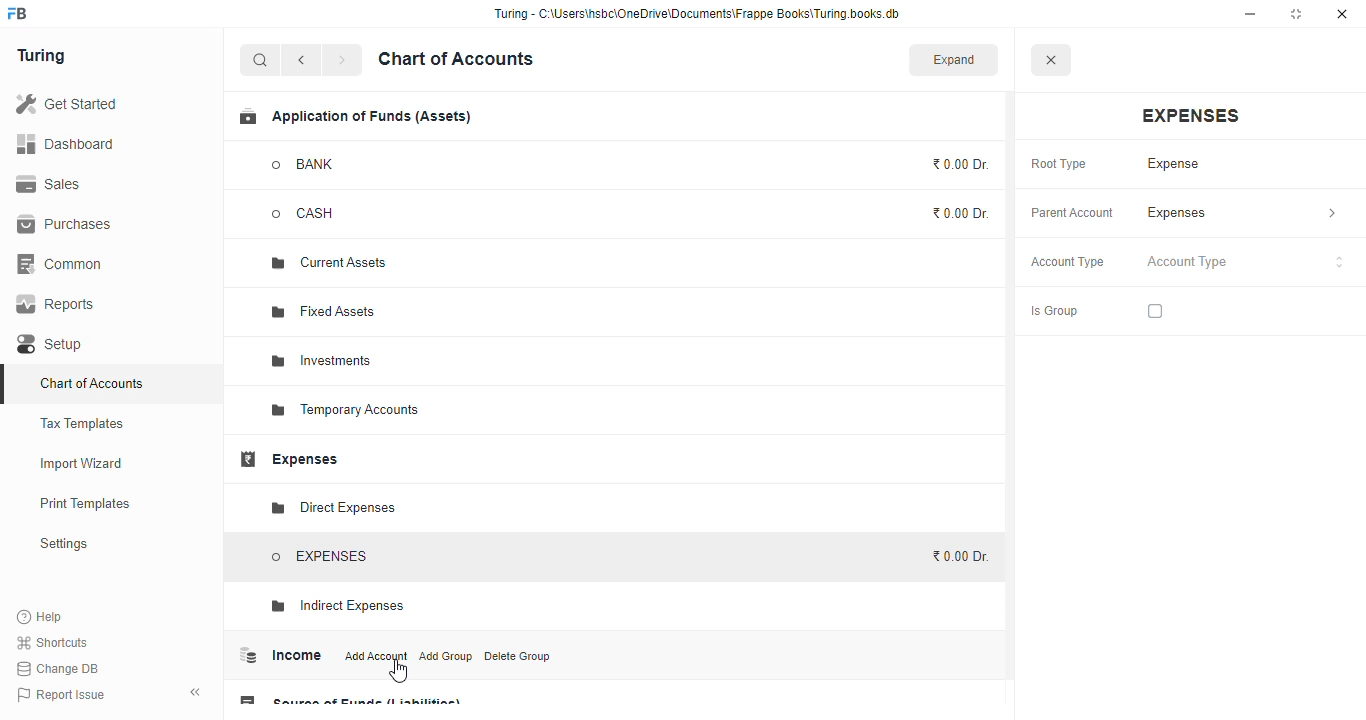  I want to click on indirect expenses, so click(338, 606).